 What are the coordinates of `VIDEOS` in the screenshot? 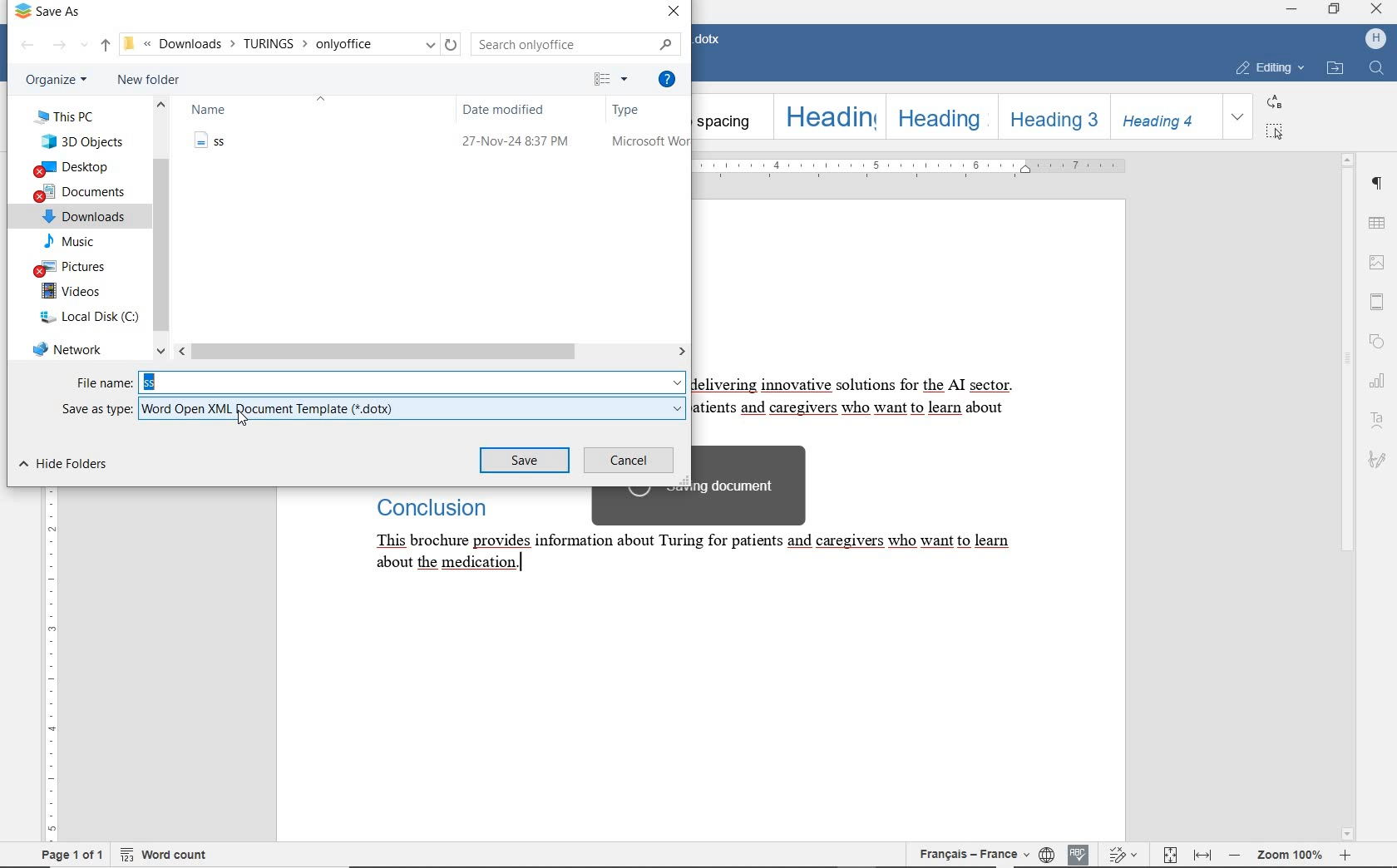 It's located at (72, 291).